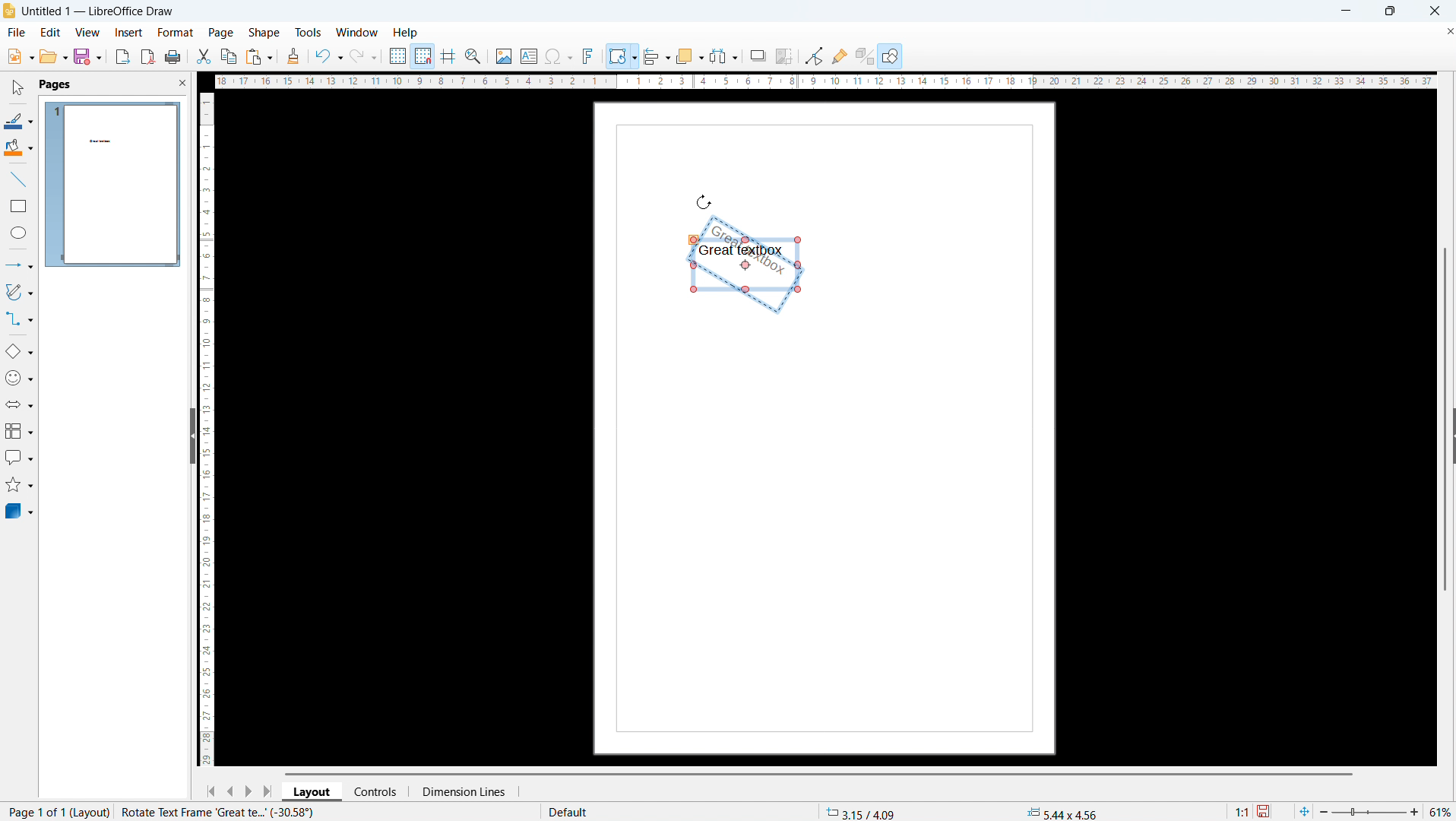 The image size is (1456, 821). What do you see at coordinates (228, 55) in the screenshot?
I see `copy` at bounding box center [228, 55].